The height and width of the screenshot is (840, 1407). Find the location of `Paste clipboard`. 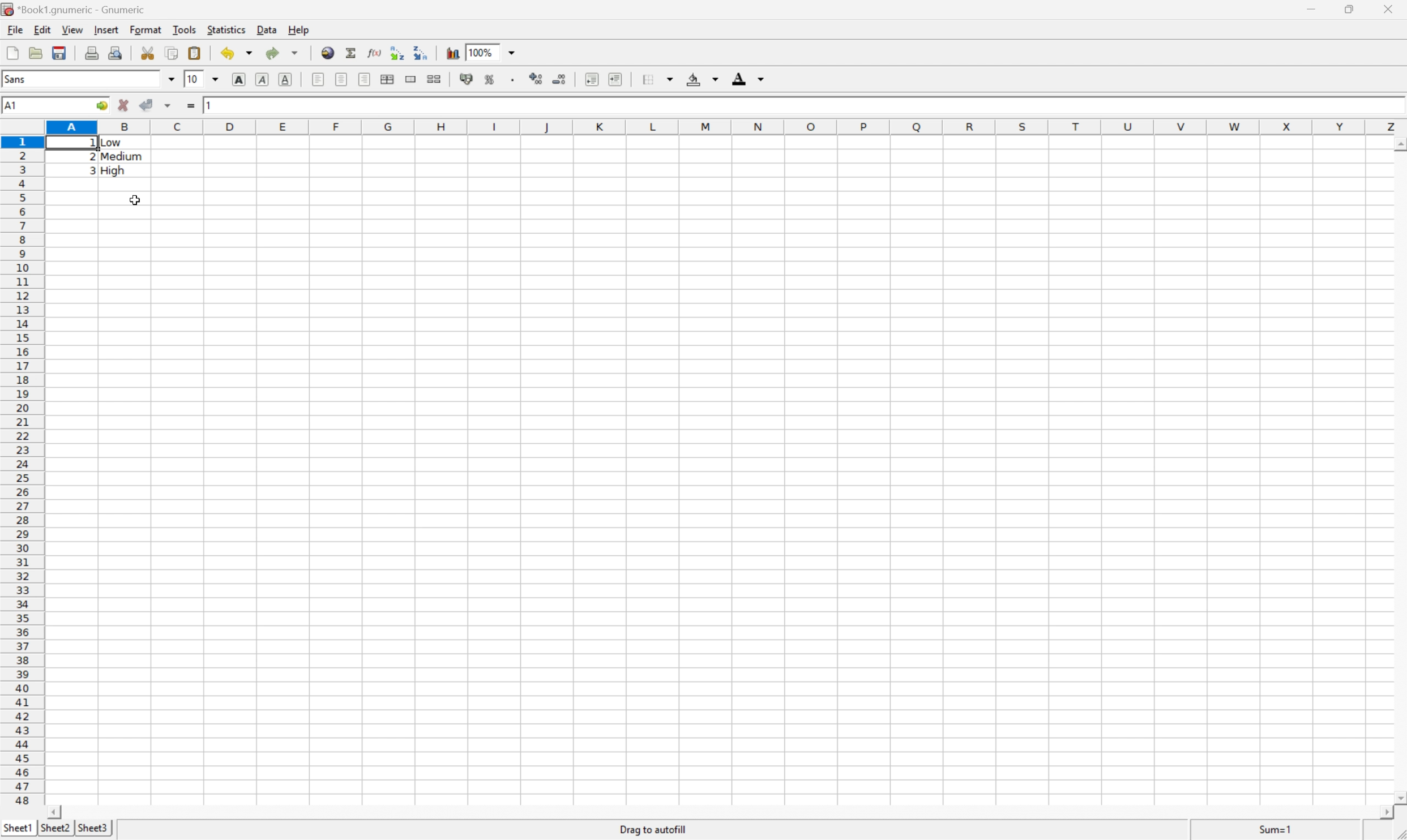

Paste clipboard is located at coordinates (194, 53).